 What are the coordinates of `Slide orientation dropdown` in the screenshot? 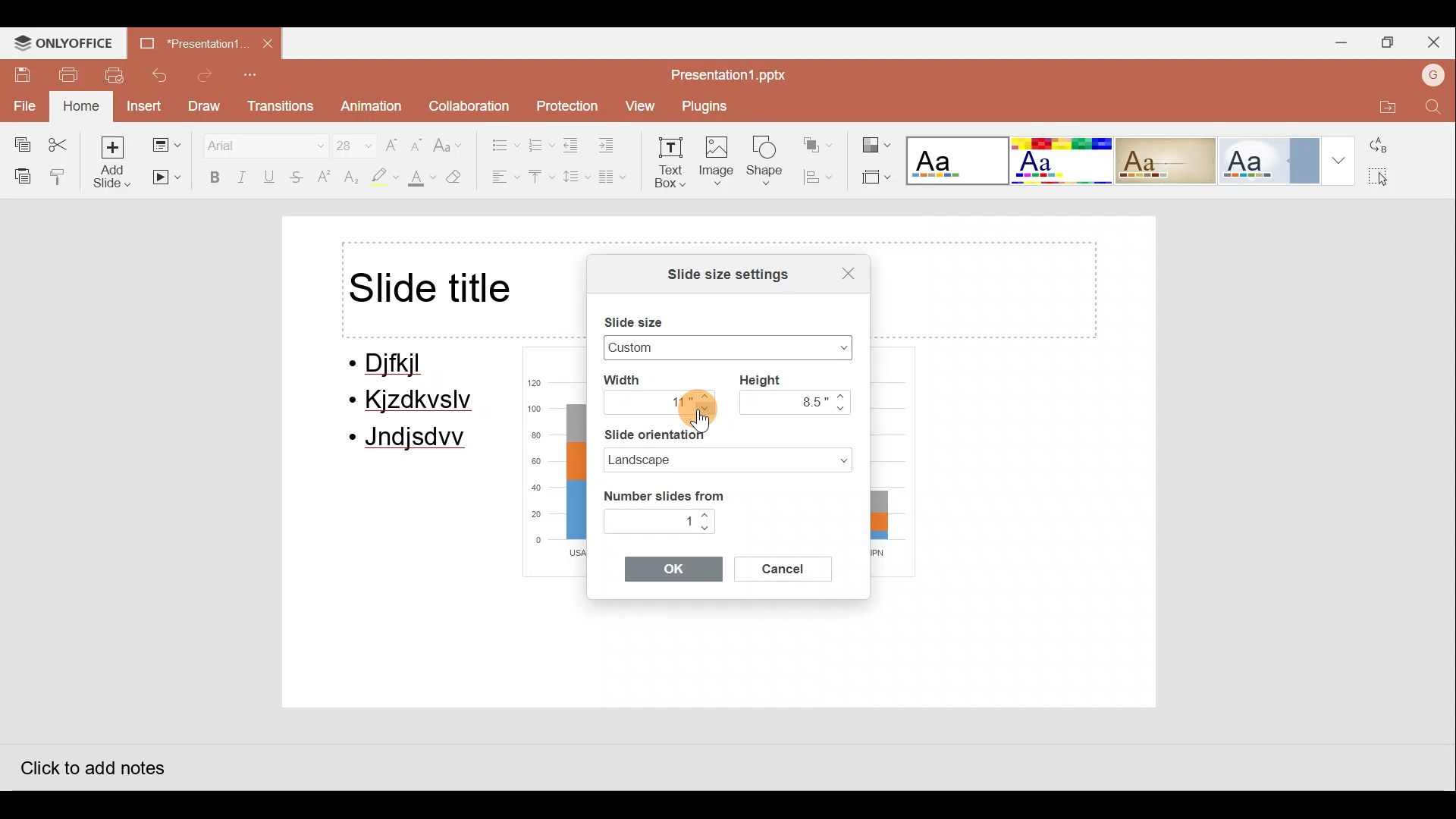 It's located at (830, 458).